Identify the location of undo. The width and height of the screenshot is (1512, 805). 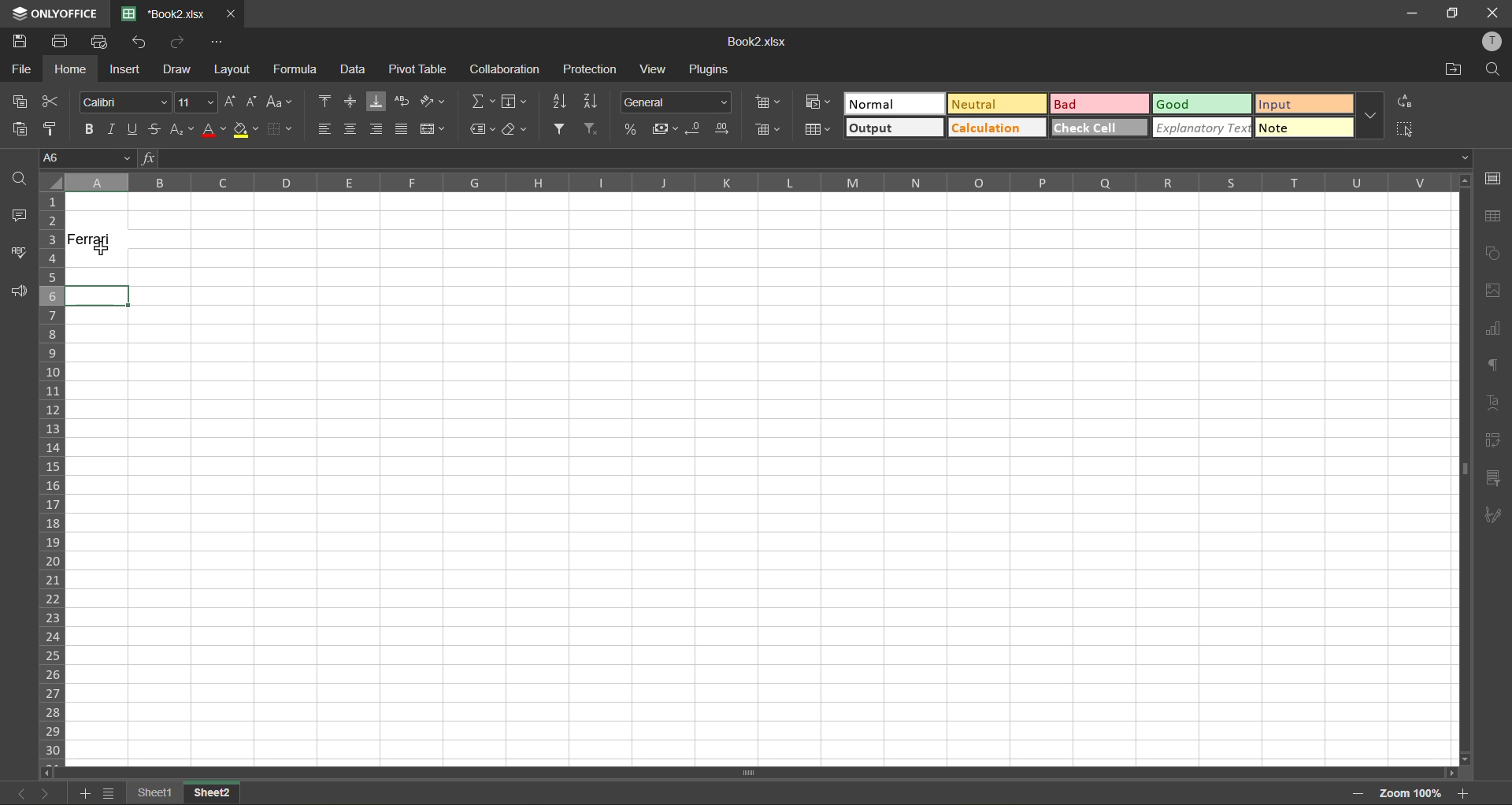
(140, 43).